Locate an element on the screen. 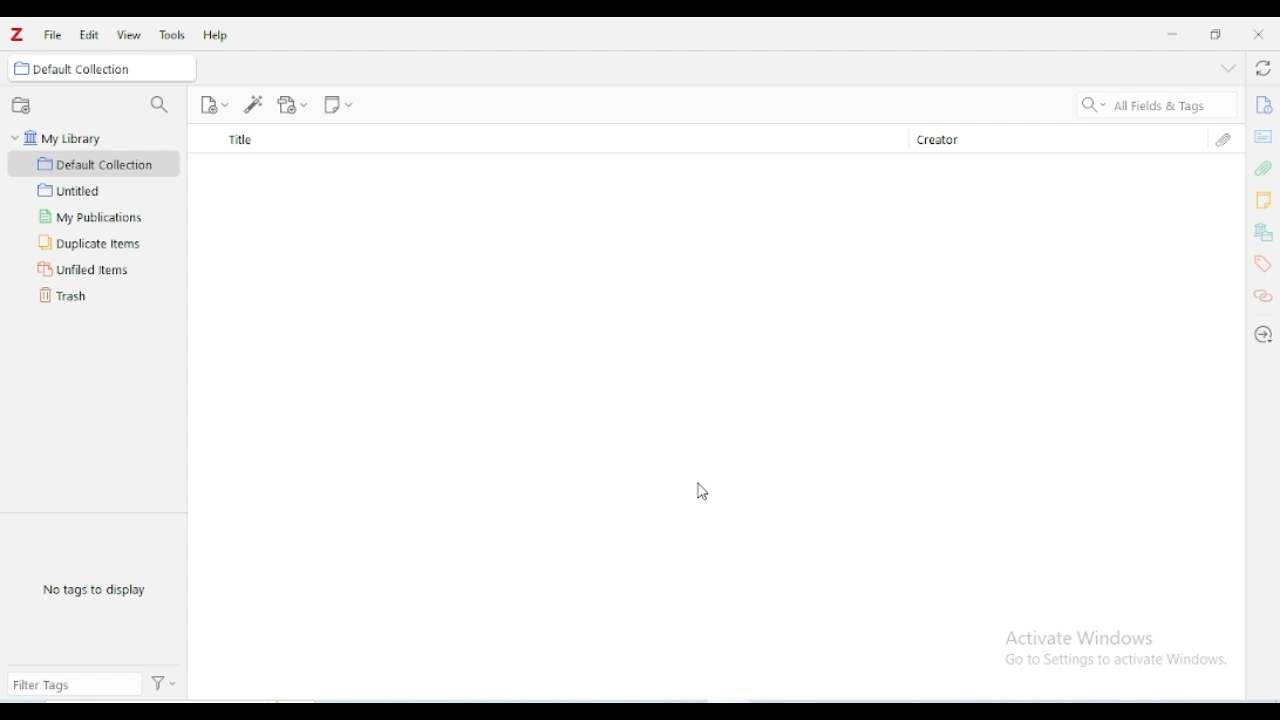 The height and width of the screenshot is (720, 1280). new collection is located at coordinates (20, 103).